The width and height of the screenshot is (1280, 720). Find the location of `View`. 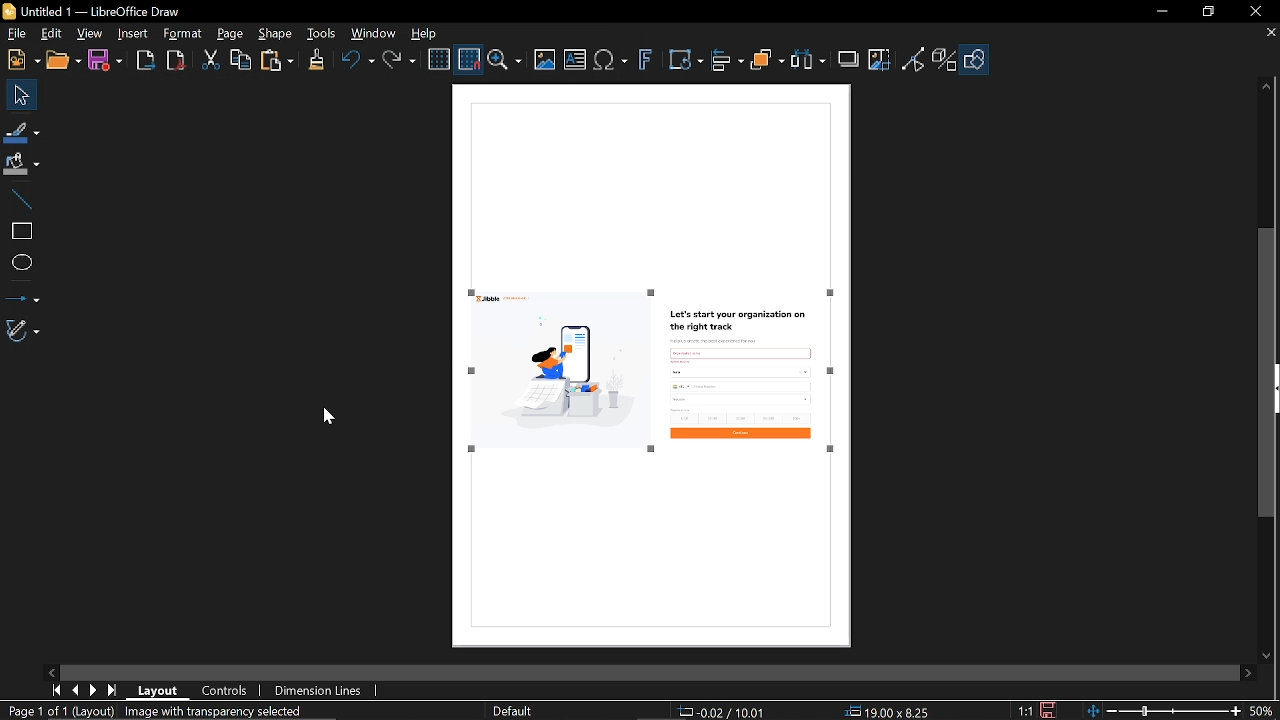

View is located at coordinates (91, 34).